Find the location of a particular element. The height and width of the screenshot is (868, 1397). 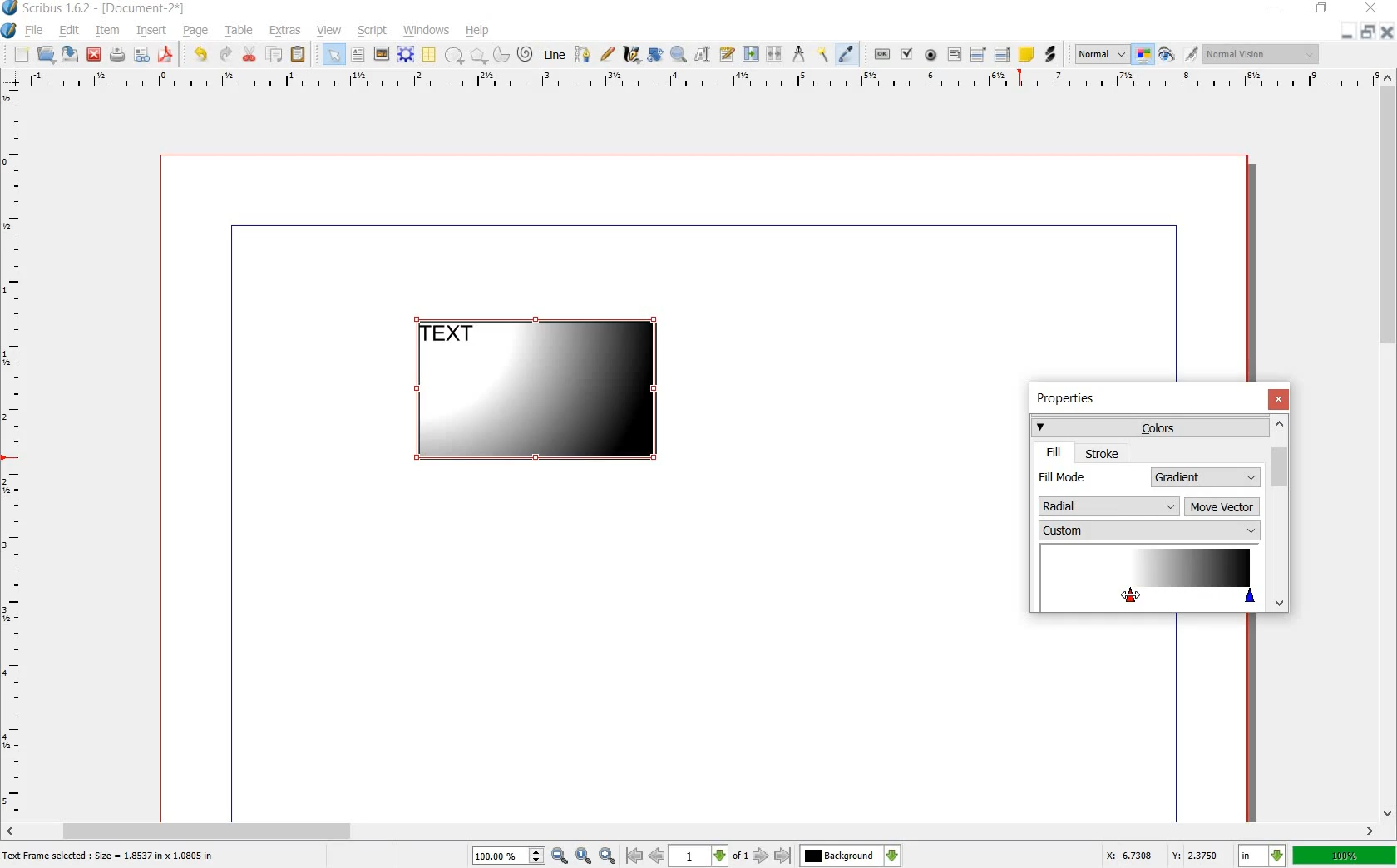

extras is located at coordinates (285, 31).